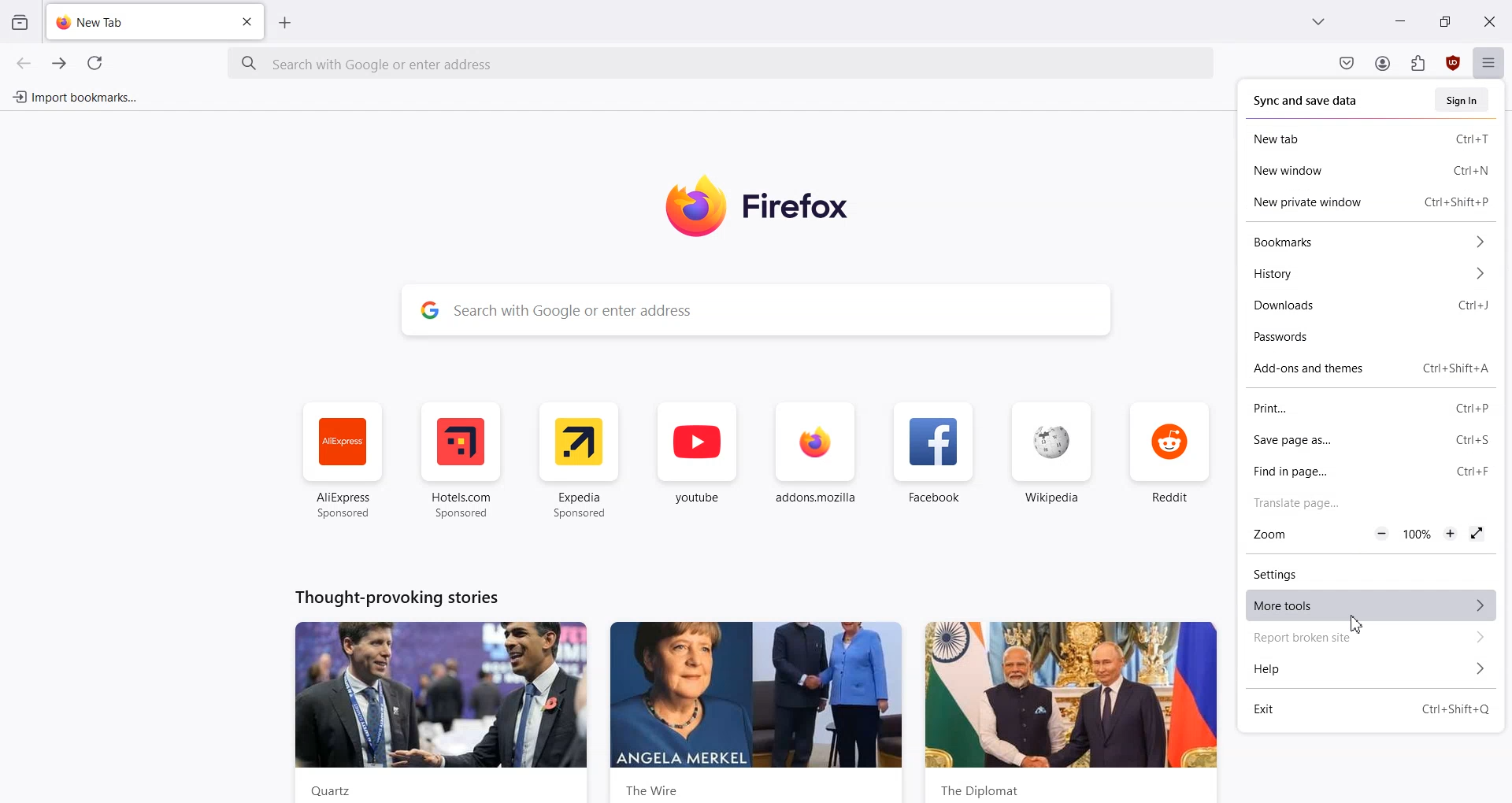 The image size is (1512, 803). What do you see at coordinates (285, 23) in the screenshot?
I see `Add New tab` at bounding box center [285, 23].